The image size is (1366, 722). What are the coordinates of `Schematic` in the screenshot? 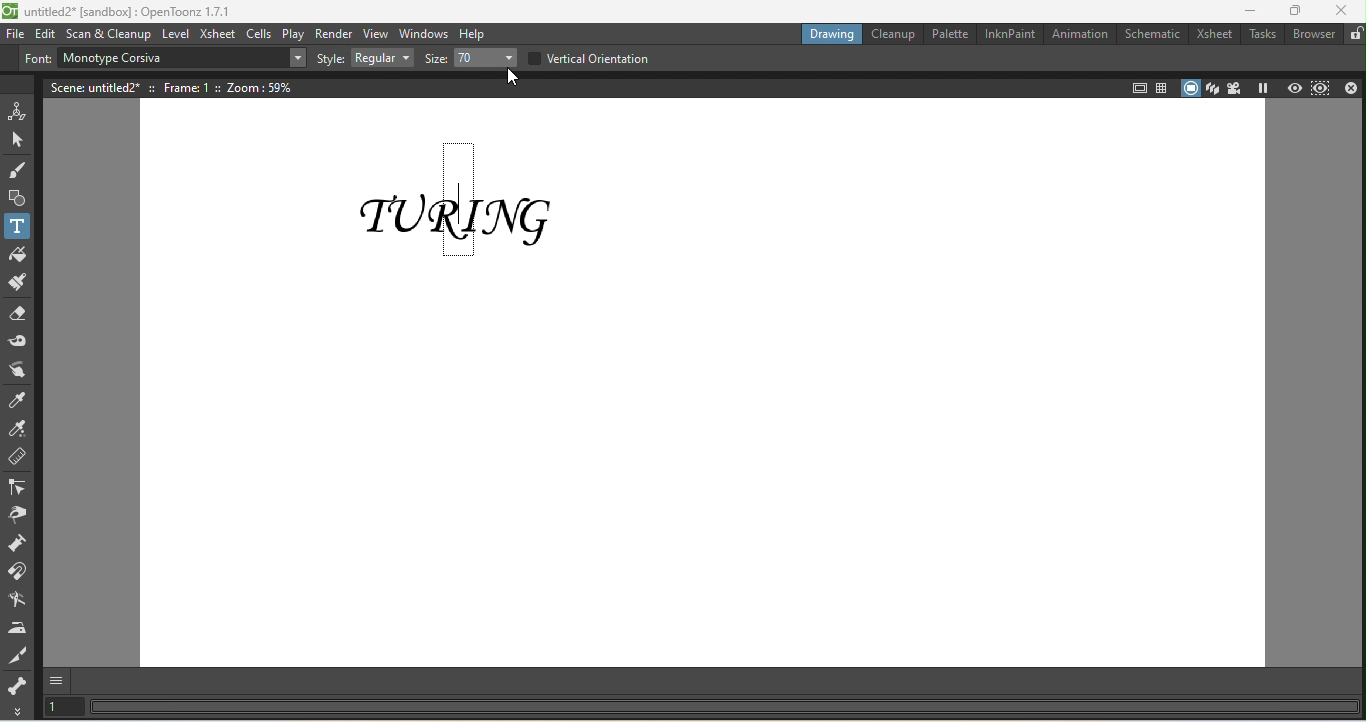 It's located at (1149, 34).